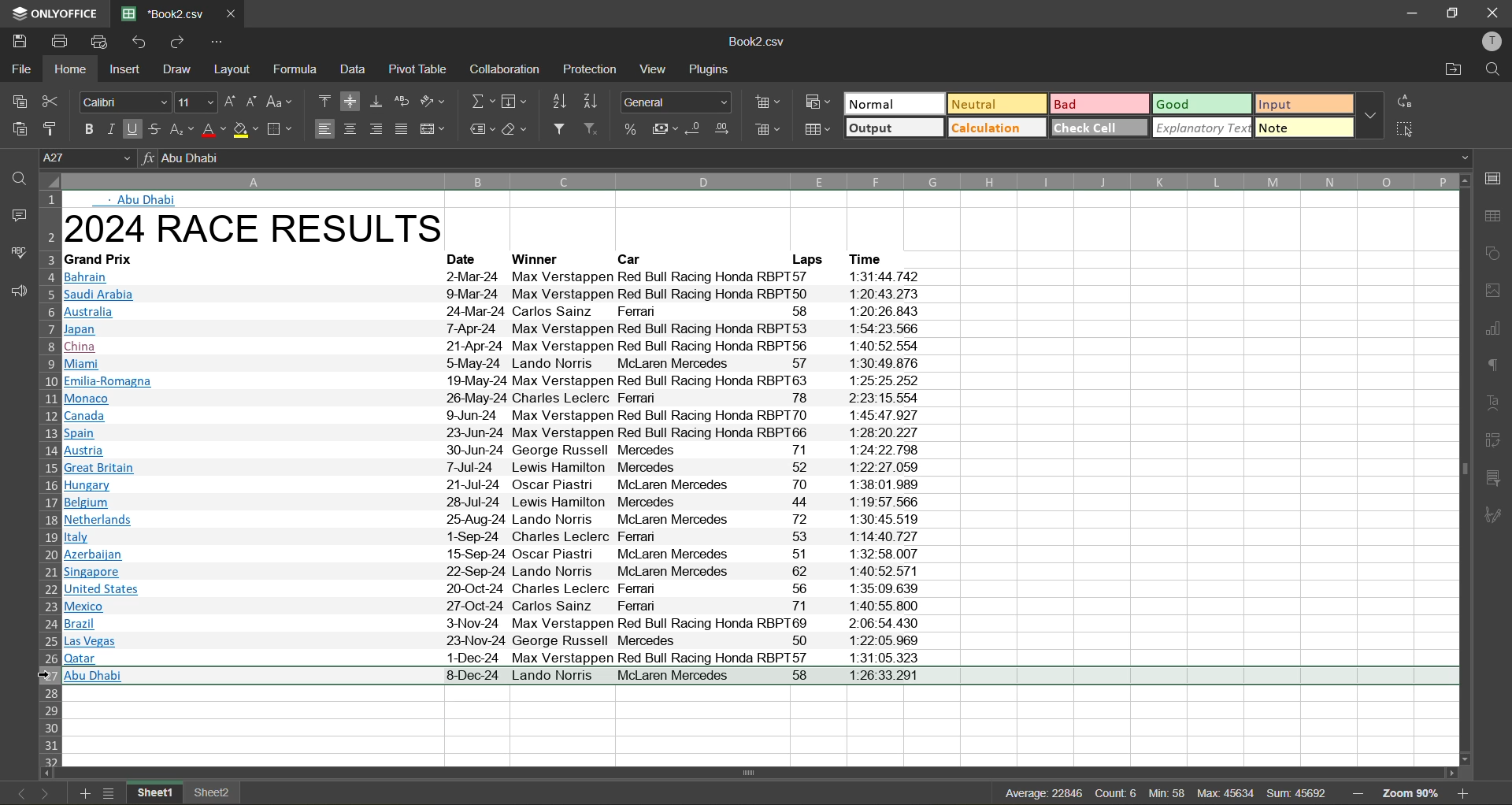 The width and height of the screenshot is (1512, 805). I want to click on redo, so click(175, 41).